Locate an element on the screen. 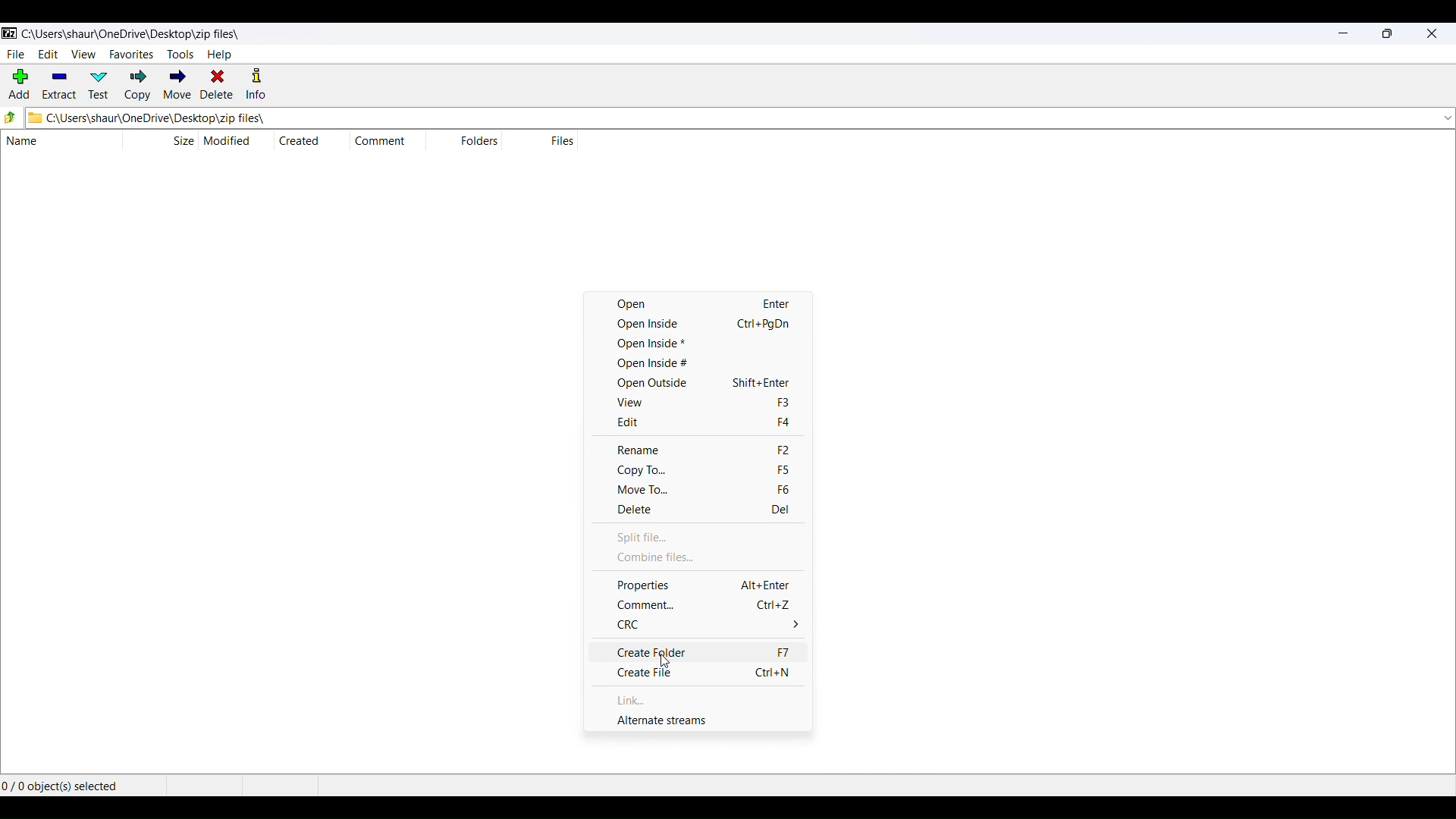  create file is located at coordinates (713, 673).